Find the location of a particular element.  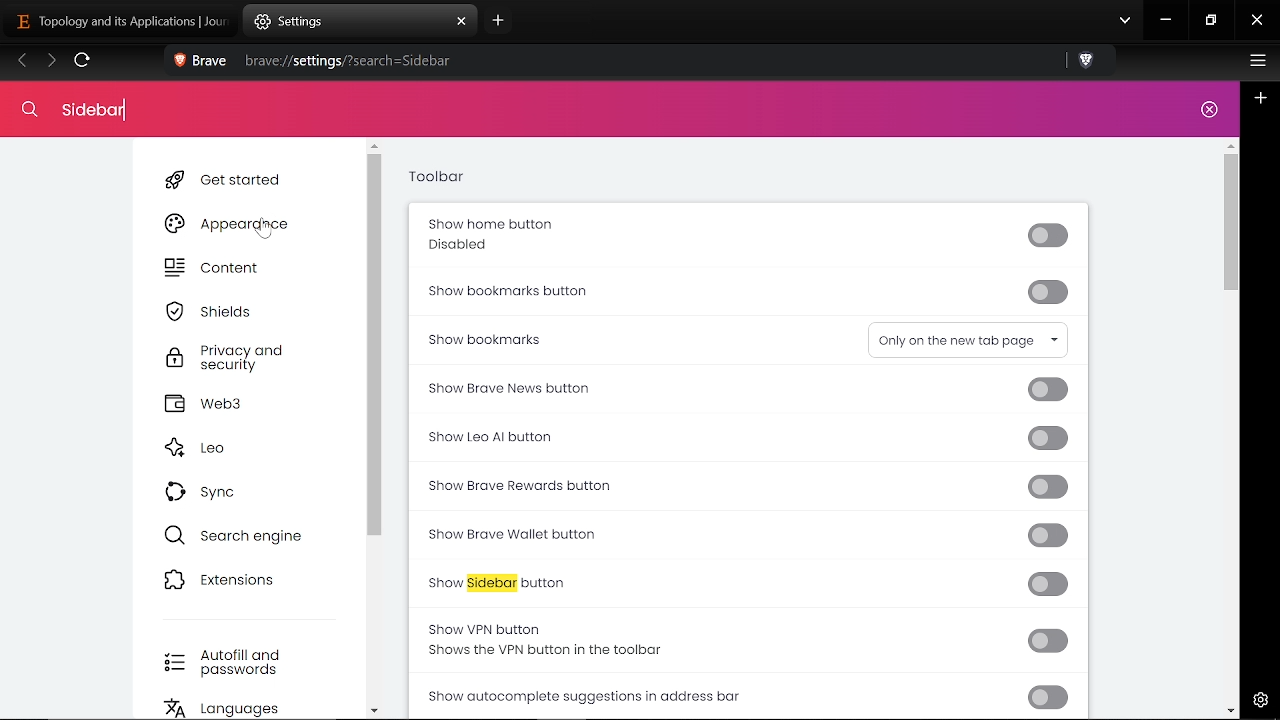

cursor is located at coordinates (268, 228).